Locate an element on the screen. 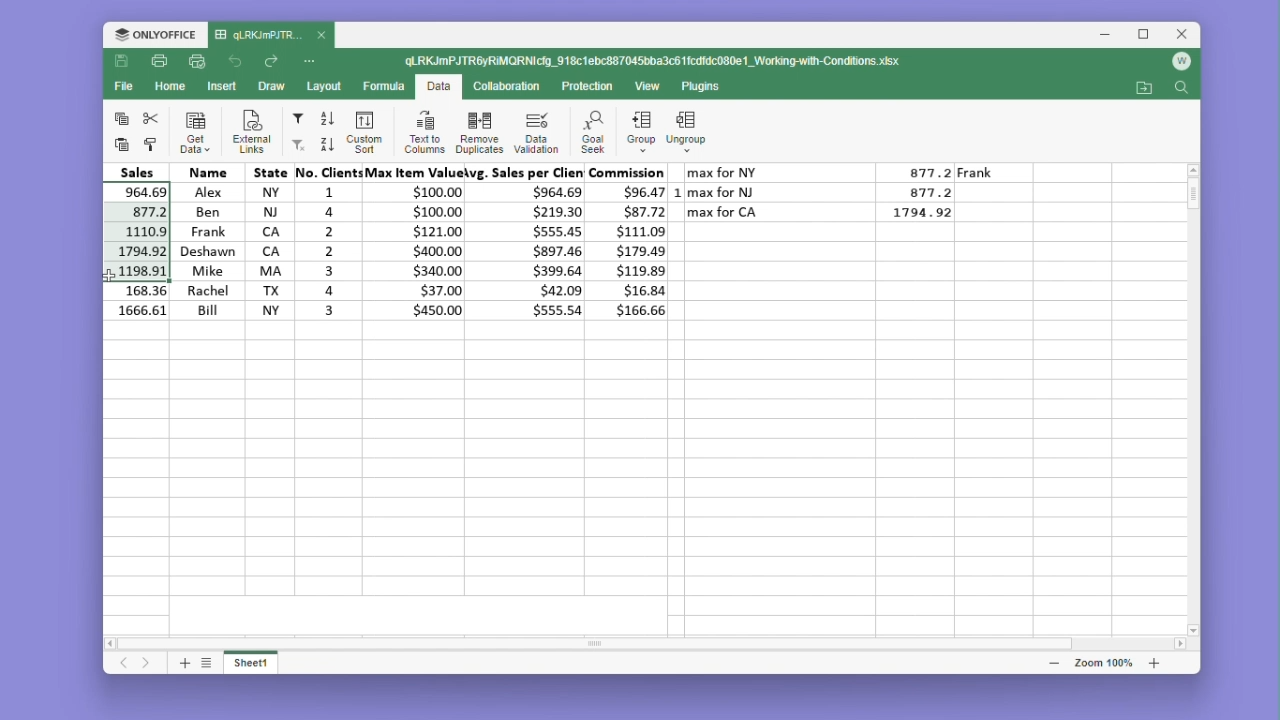 This screenshot has width=1280, height=720. Save is located at coordinates (122, 62).